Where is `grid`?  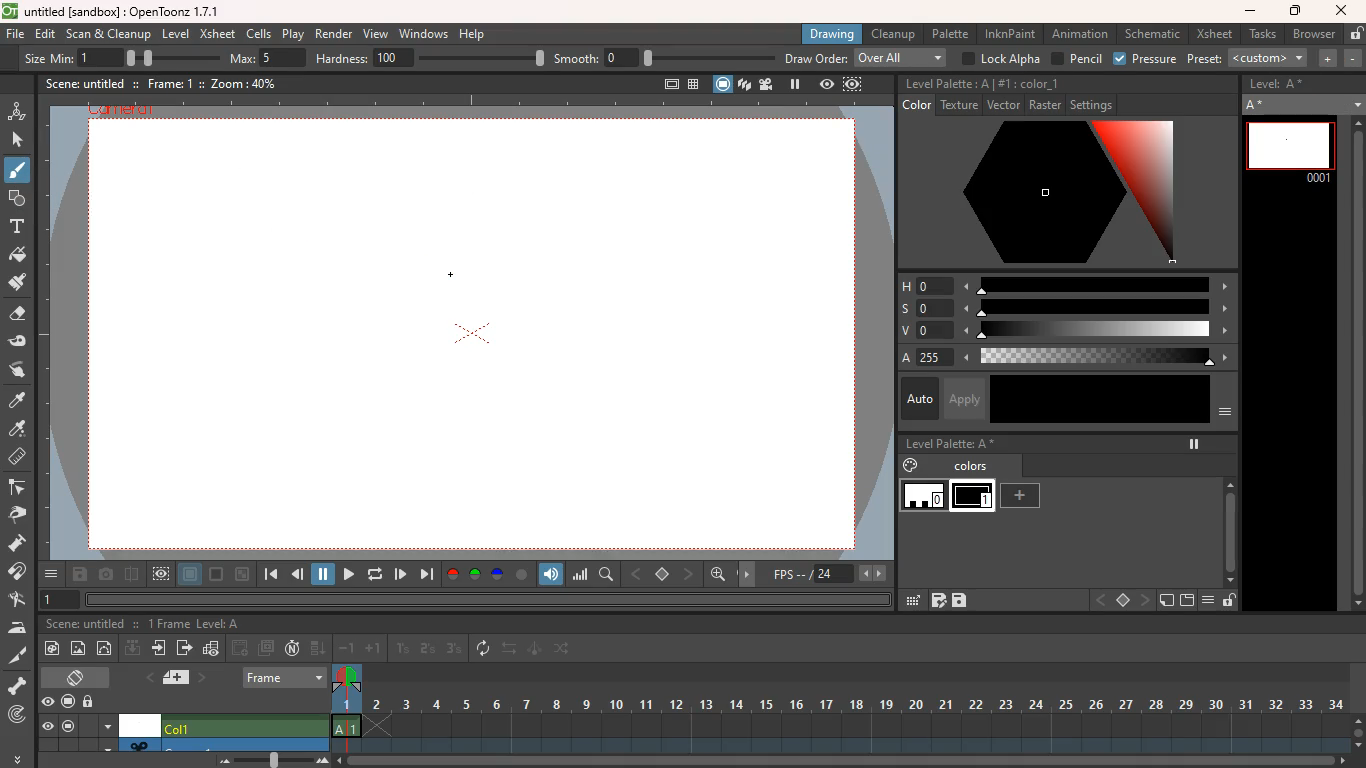 grid is located at coordinates (938, 602).